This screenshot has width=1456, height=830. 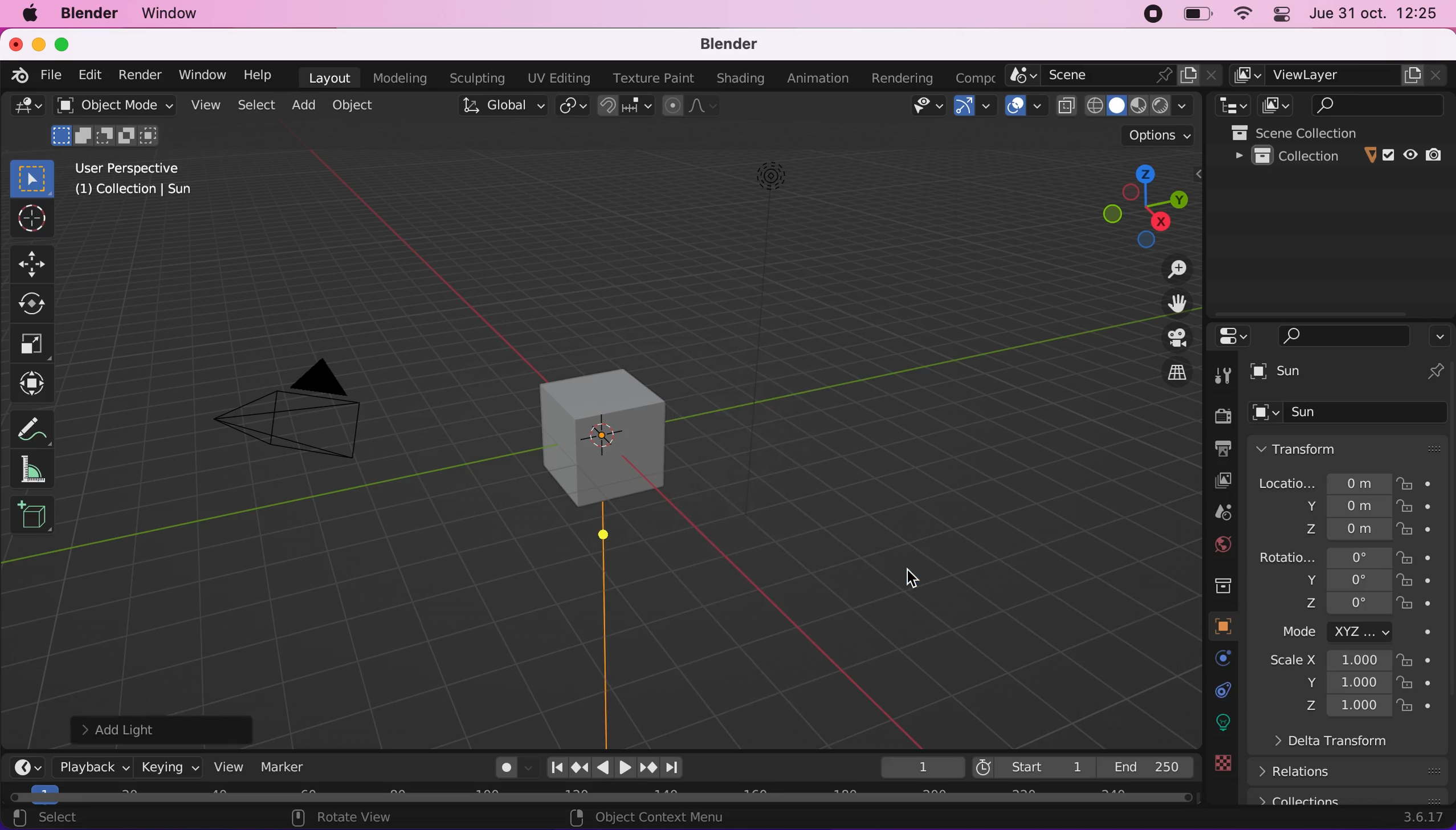 I want to click on view layer, so click(x=1212, y=481).